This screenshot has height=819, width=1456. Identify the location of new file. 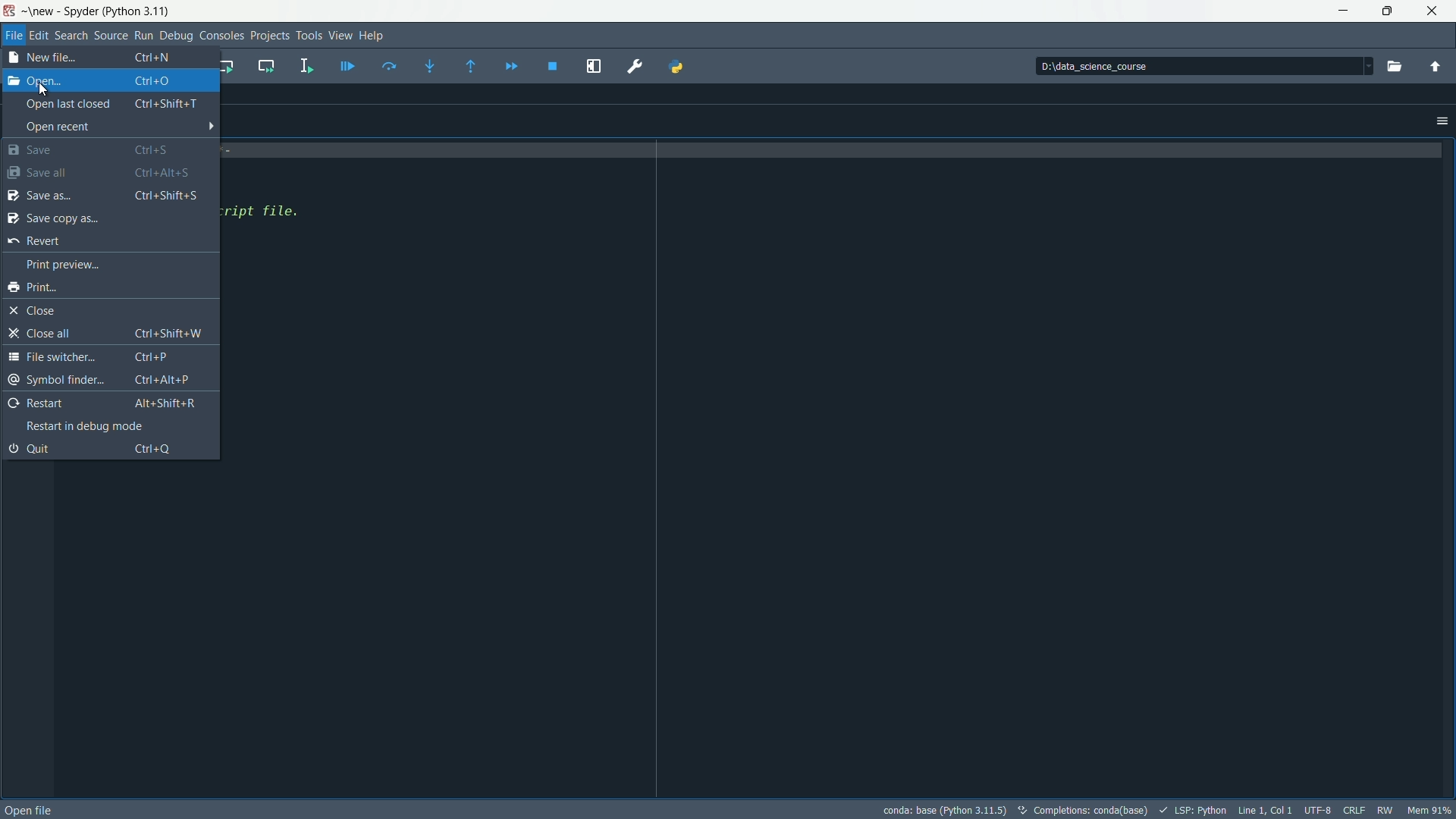
(103, 56).